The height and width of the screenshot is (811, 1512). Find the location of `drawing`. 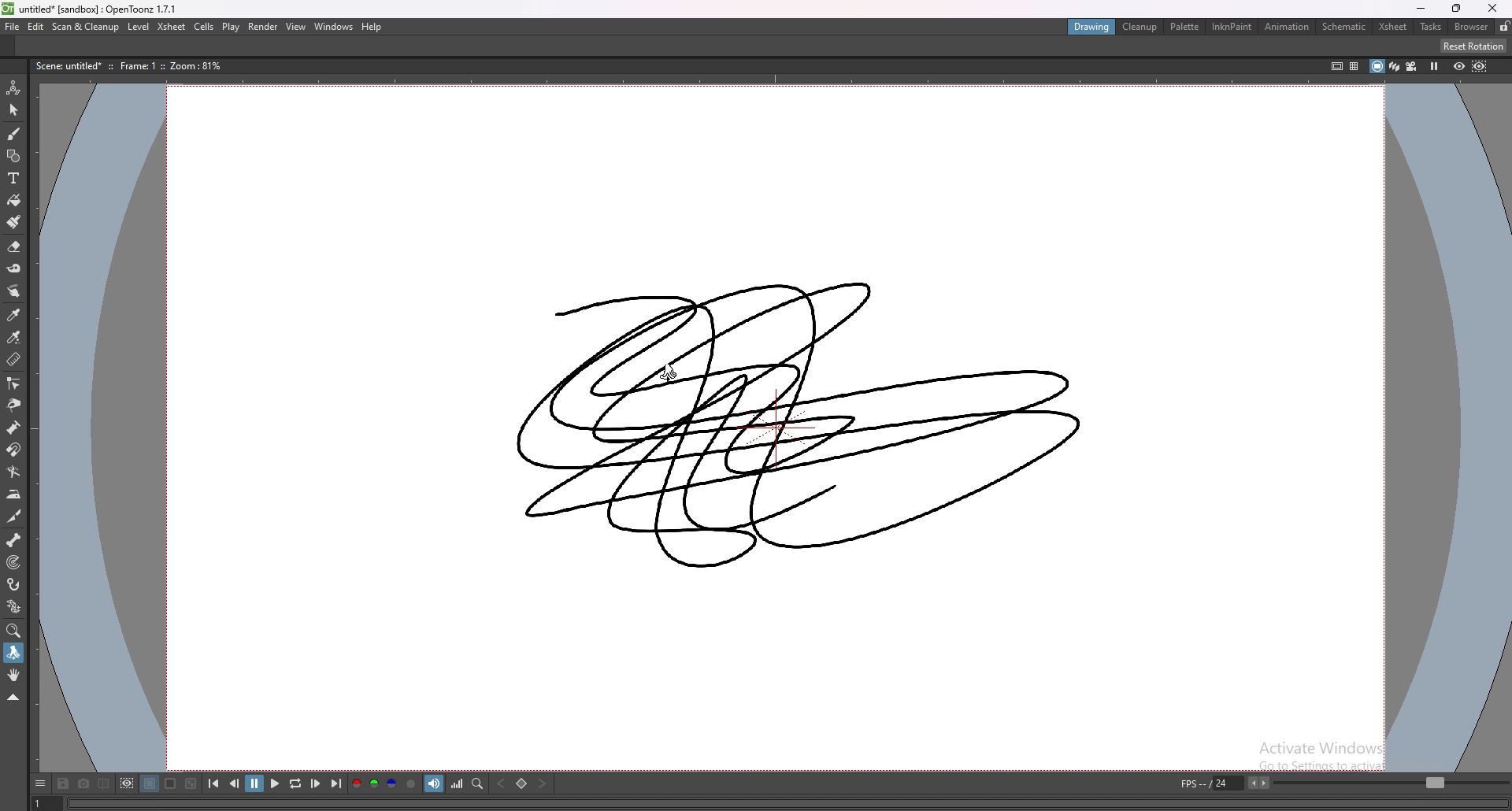

drawing is located at coordinates (1091, 28).